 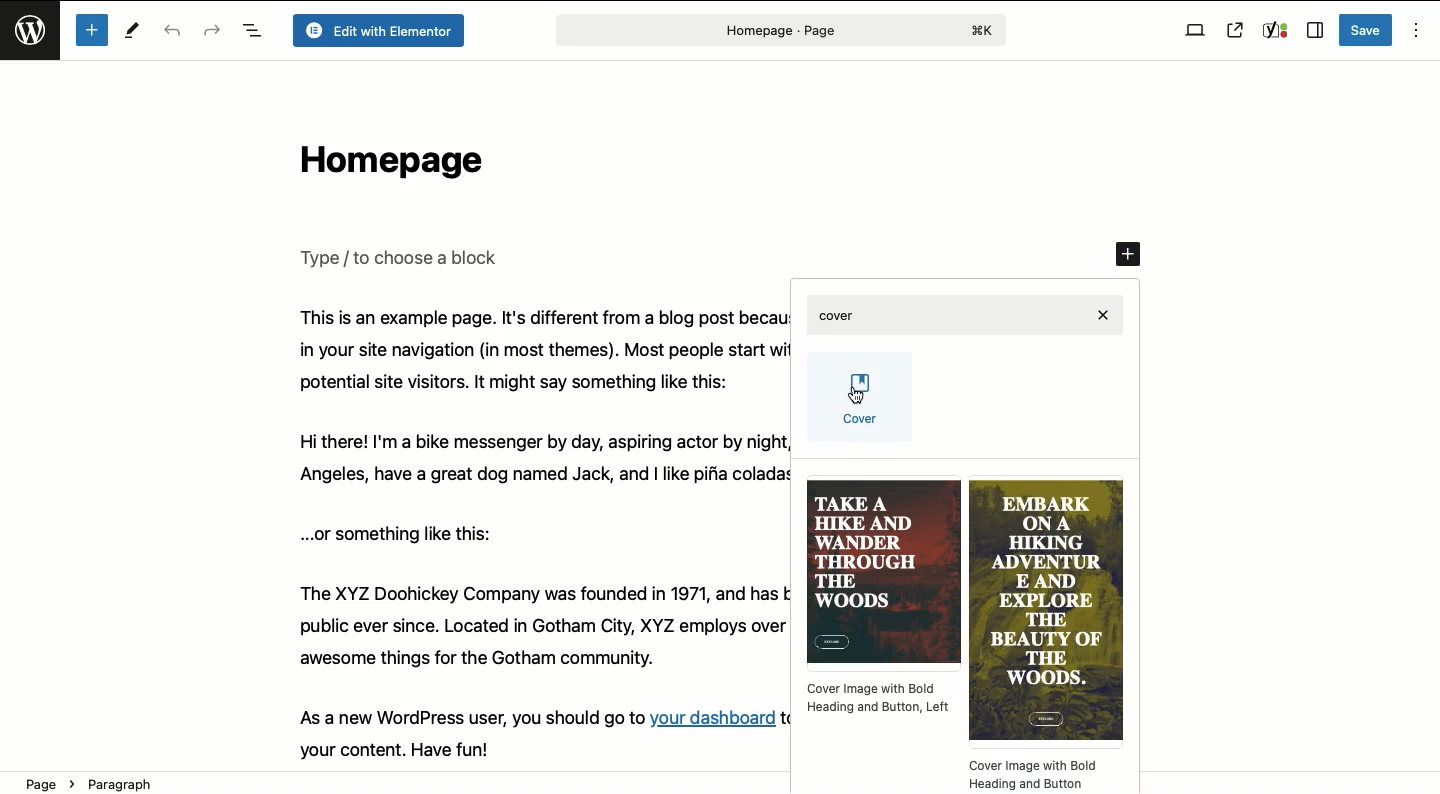 What do you see at coordinates (175, 32) in the screenshot?
I see `Undo` at bounding box center [175, 32].